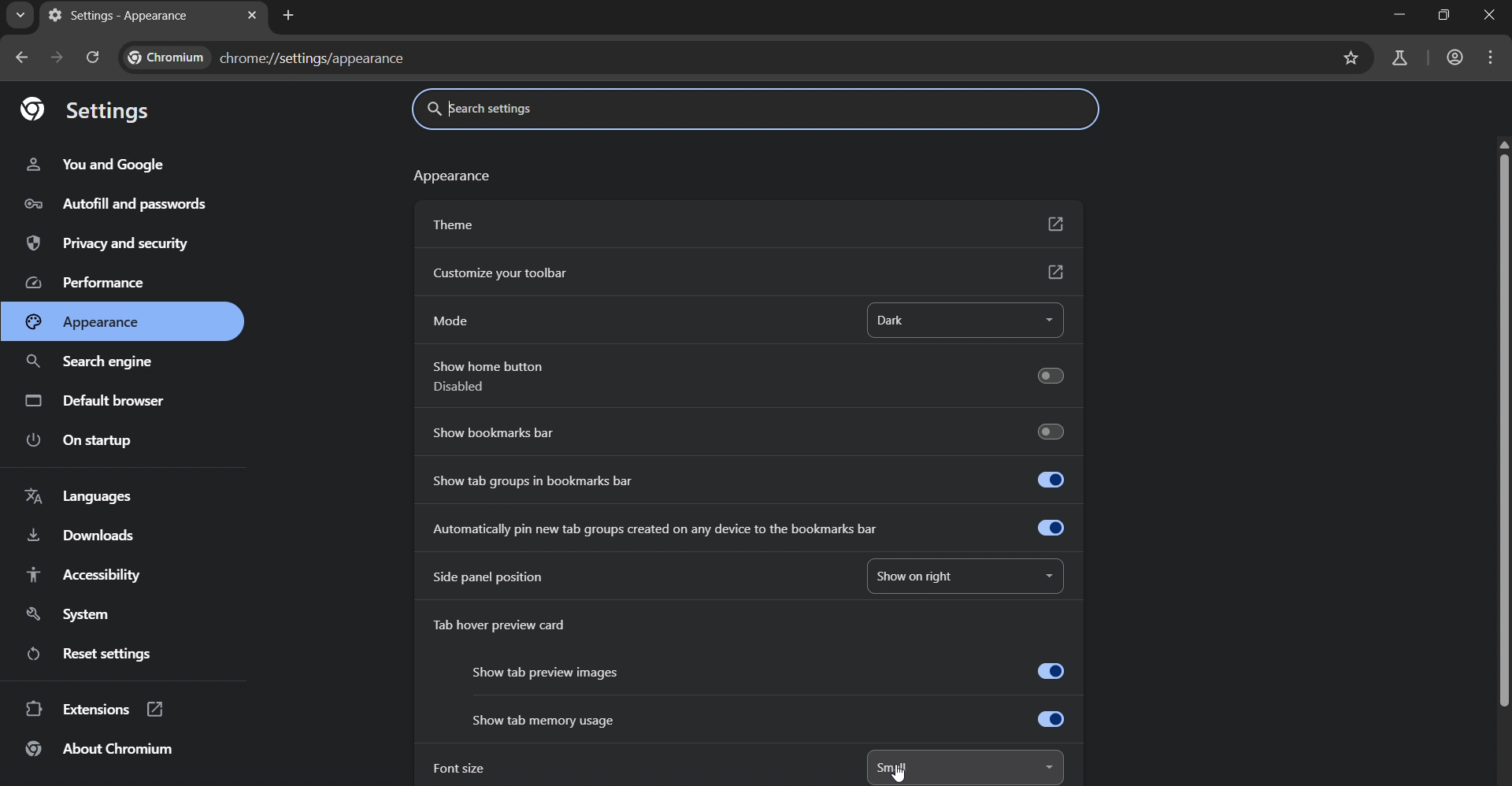 This screenshot has width=1512, height=786. What do you see at coordinates (1350, 59) in the screenshot?
I see `bookmark page` at bounding box center [1350, 59].